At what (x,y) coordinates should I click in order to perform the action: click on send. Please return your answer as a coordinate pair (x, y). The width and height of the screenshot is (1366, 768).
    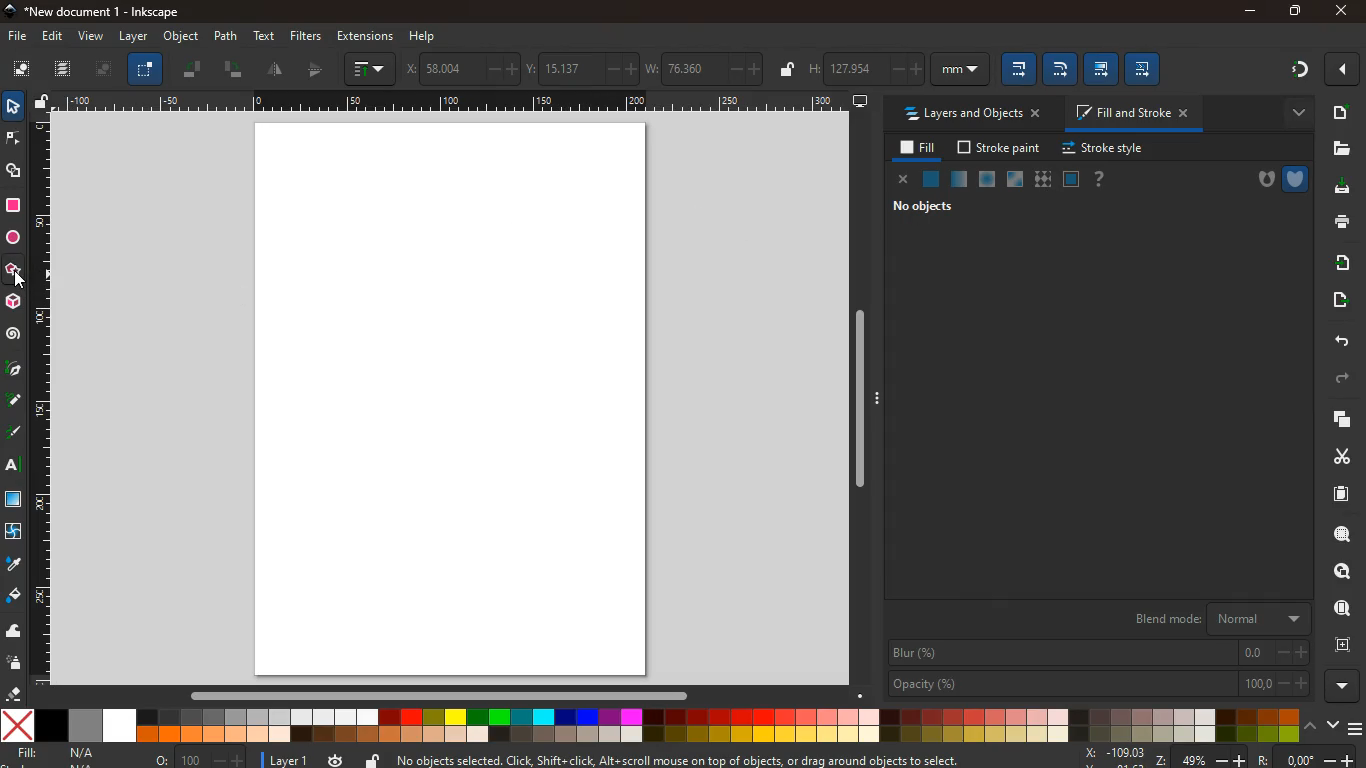
    Looking at the image, I should click on (1341, 263).